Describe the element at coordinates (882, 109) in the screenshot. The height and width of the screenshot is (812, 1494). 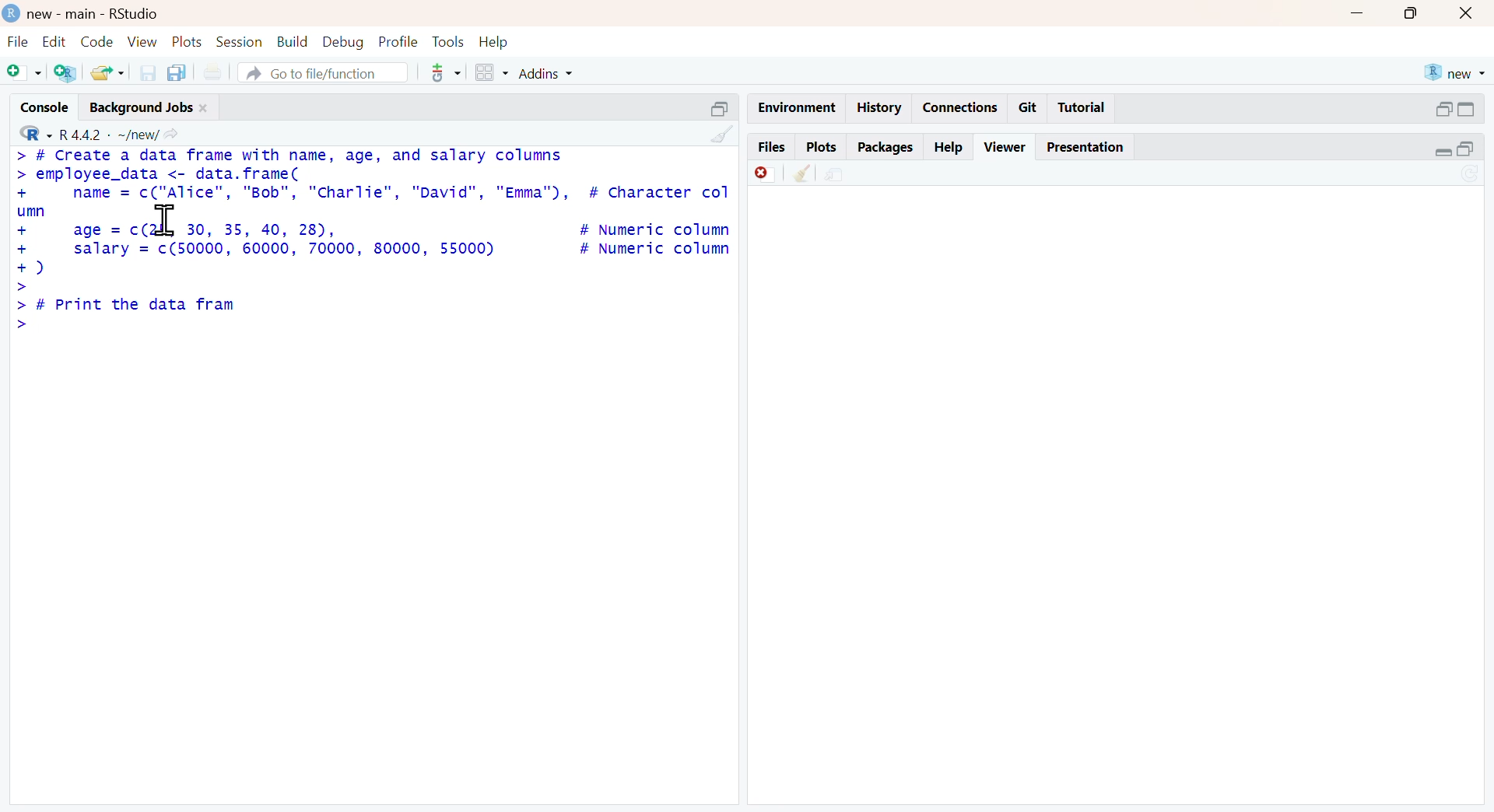
I see `History` at that location.